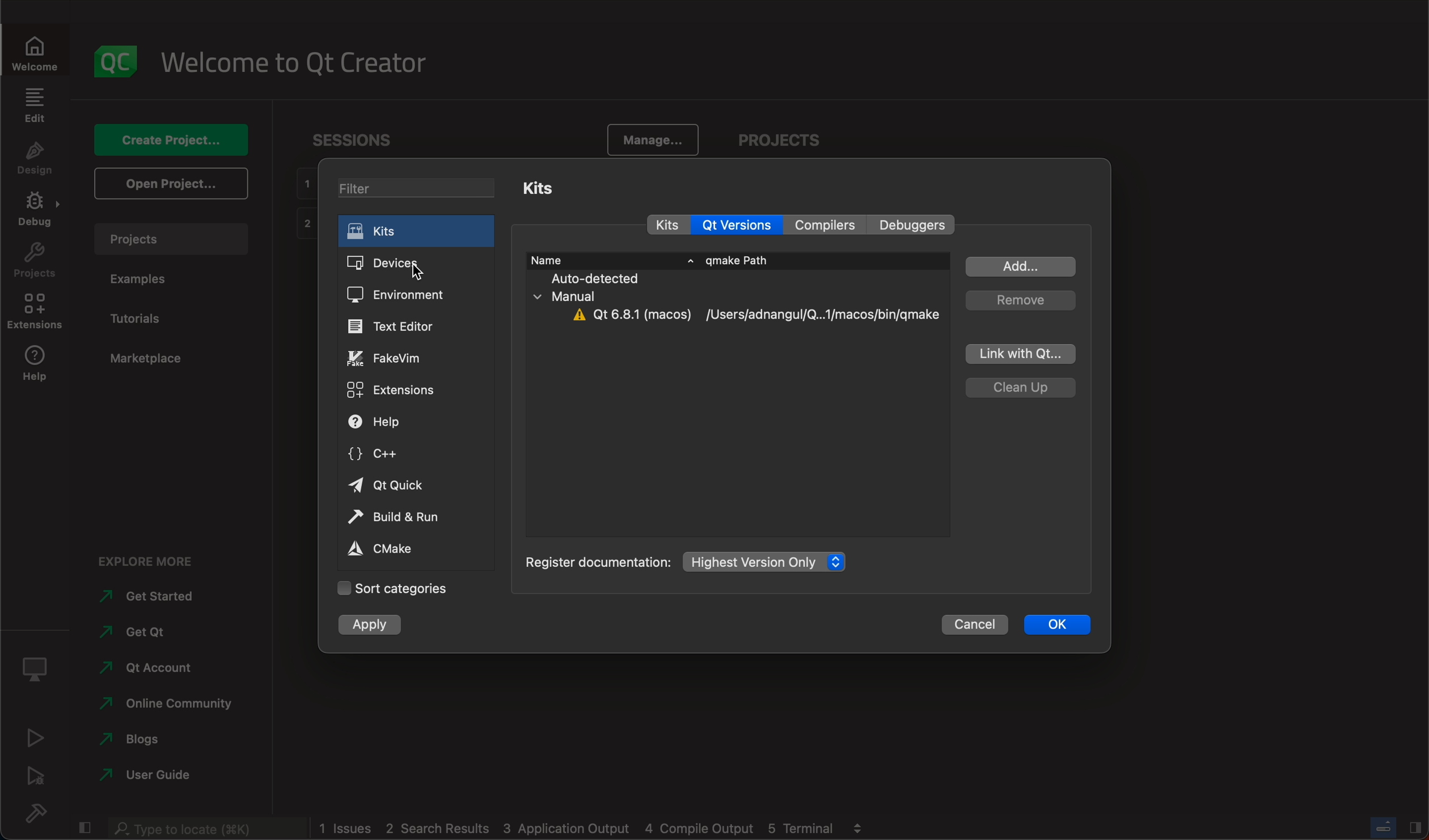  I want to click on kits, so click(543, 190).